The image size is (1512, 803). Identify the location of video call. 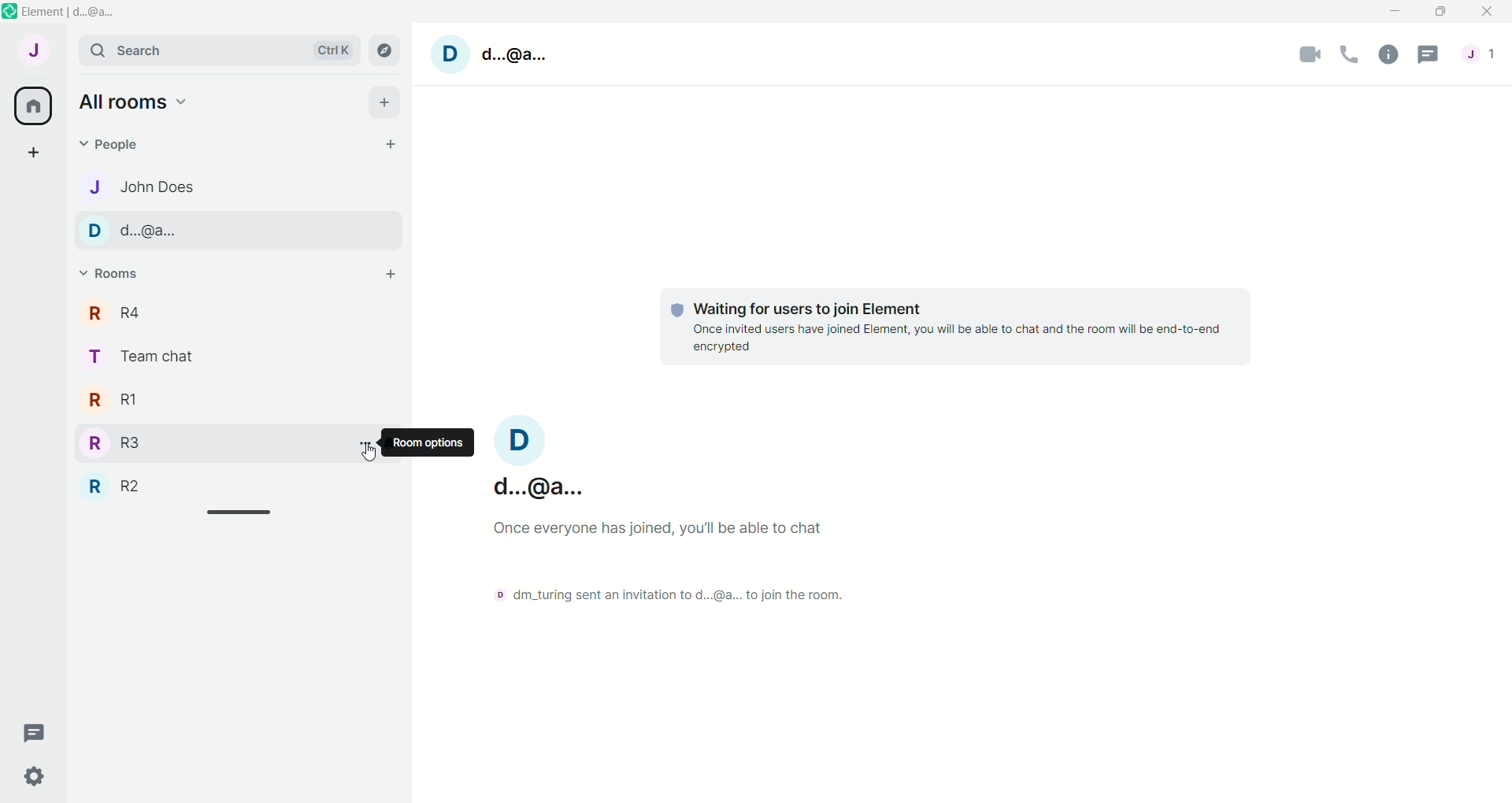
(1306, 55).